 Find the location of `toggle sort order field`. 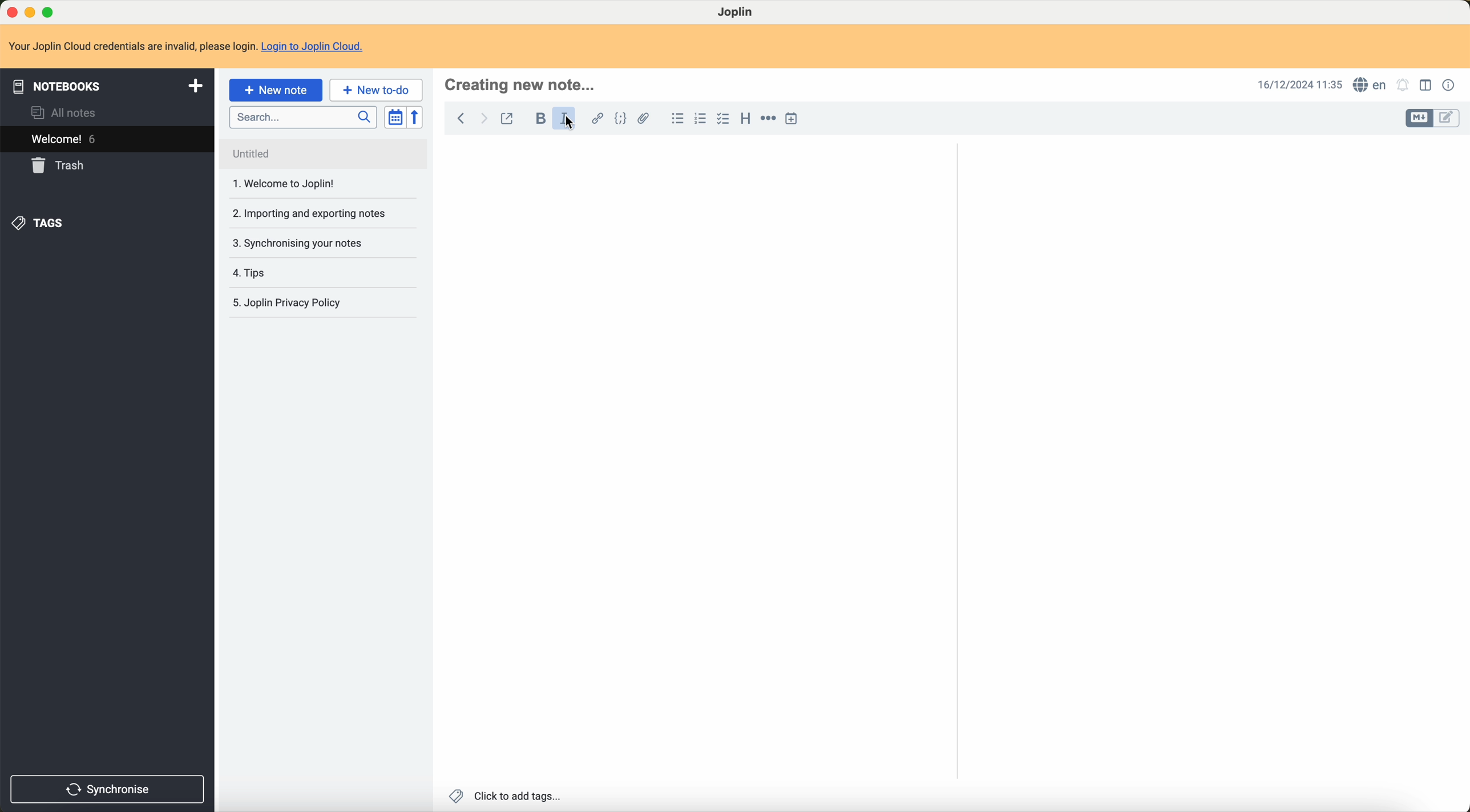

toggle sort order field is located at coordinates (393, 118).